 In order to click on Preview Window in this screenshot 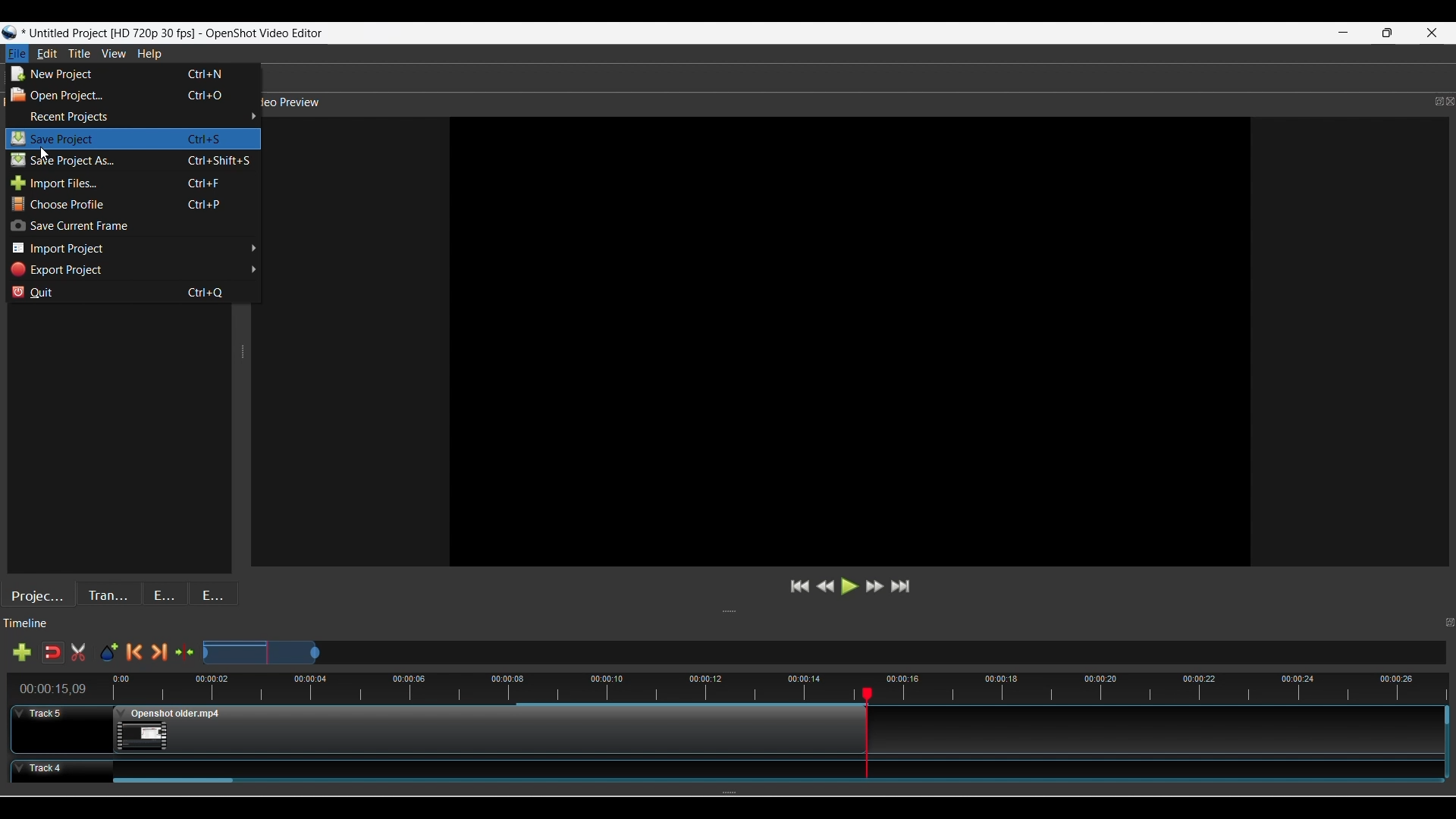, I will do `click(854, 343)`.